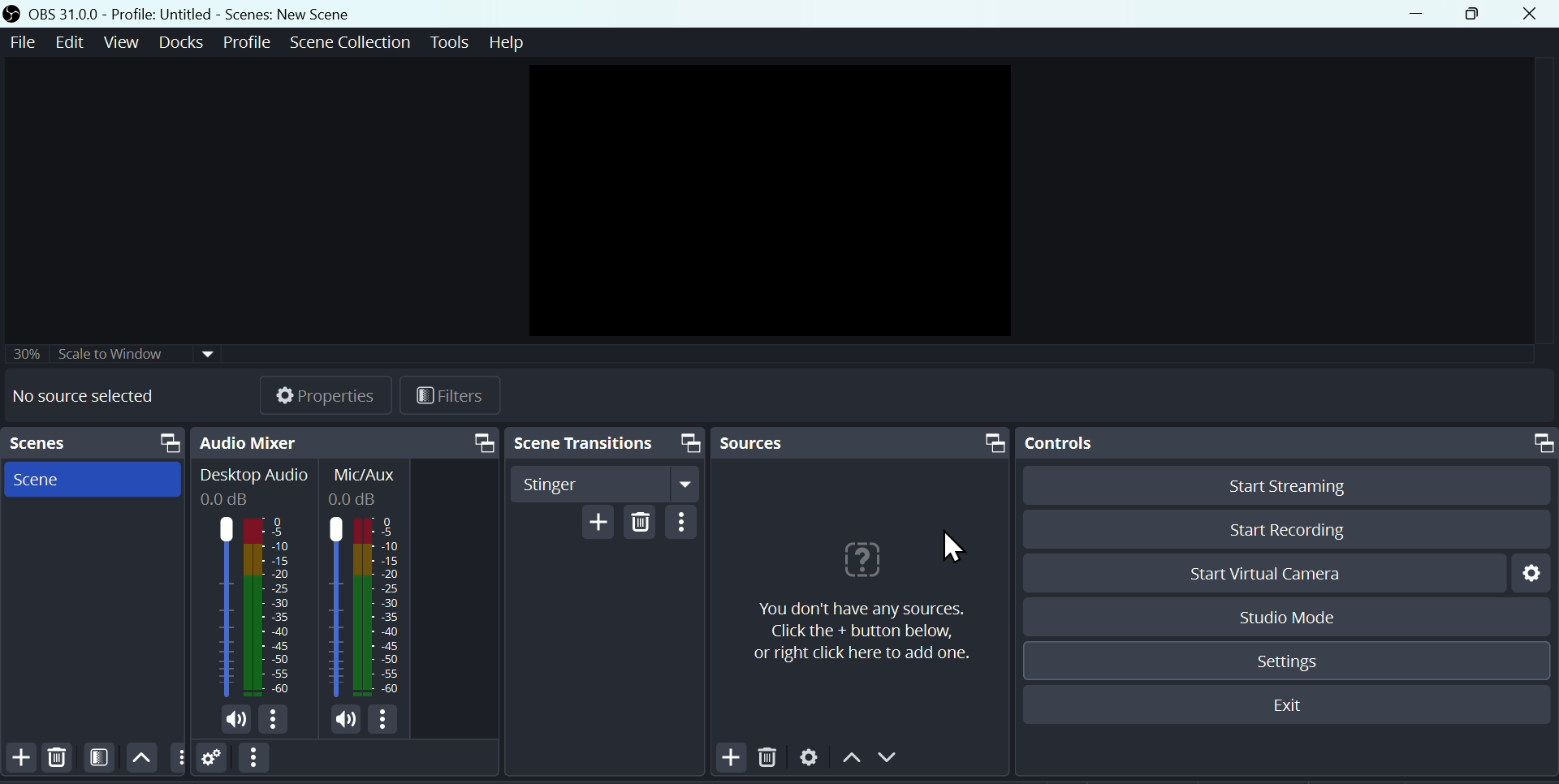 This screenshot has height=784, width=1559. Describe the element at coordinates (1420, 14) in the screenshot. I see `minimise` at that location.